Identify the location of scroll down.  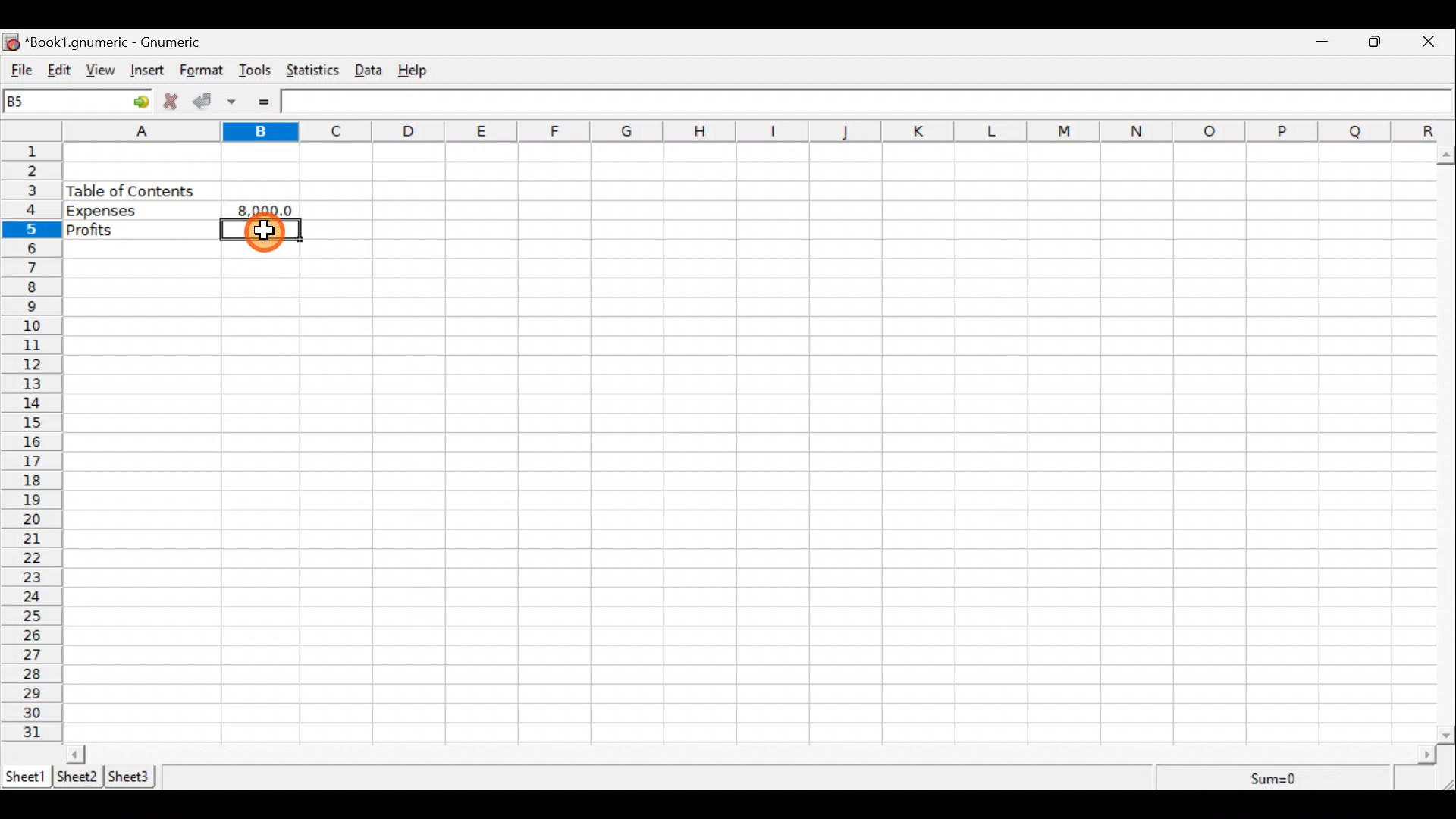
(1447, 735).